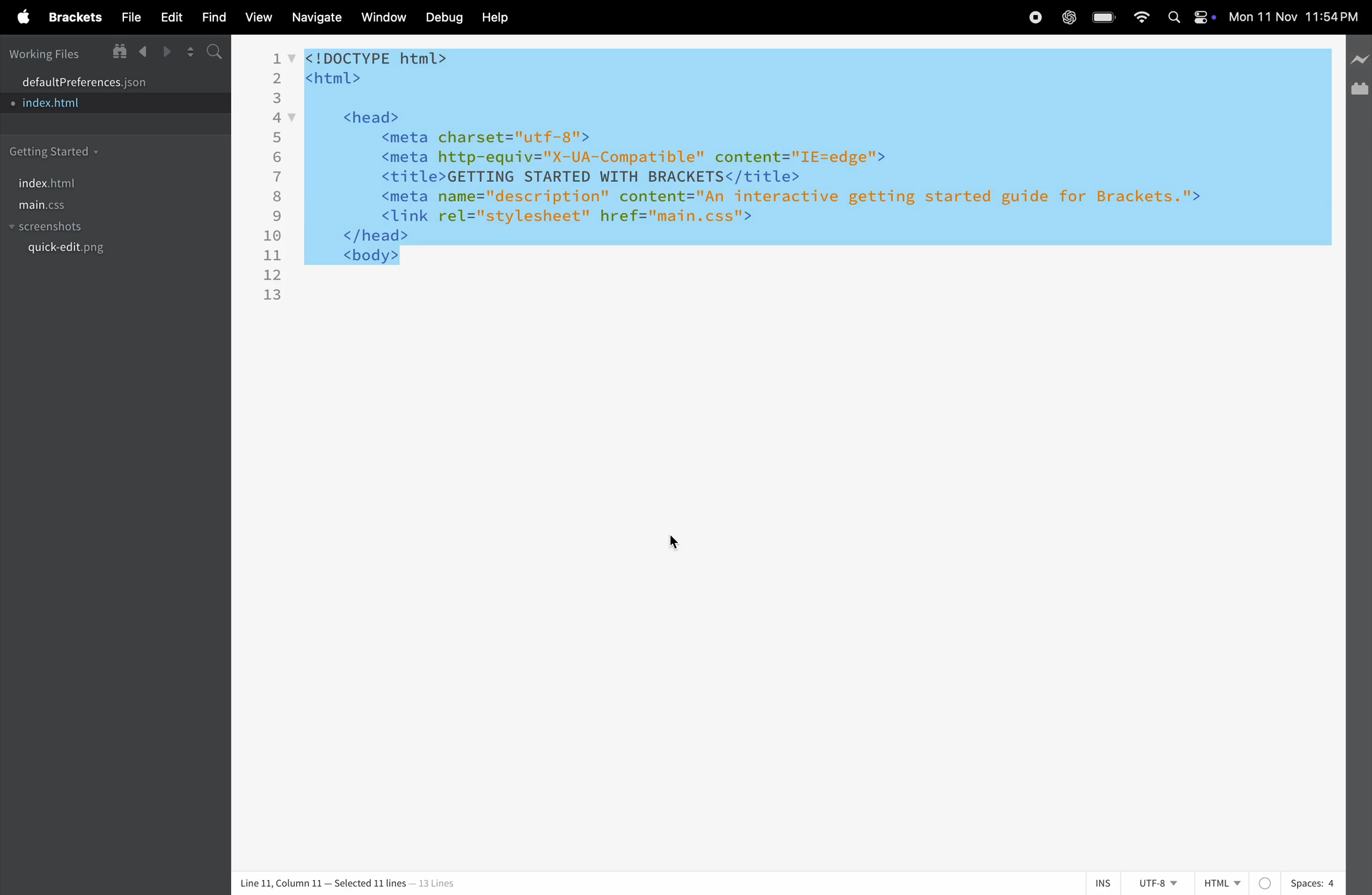 Image resolution: width=1372 pixels, height=895 pixels. Describe the element at coordinates (61, 149) in the screenshot. I see `getting started` at that location.